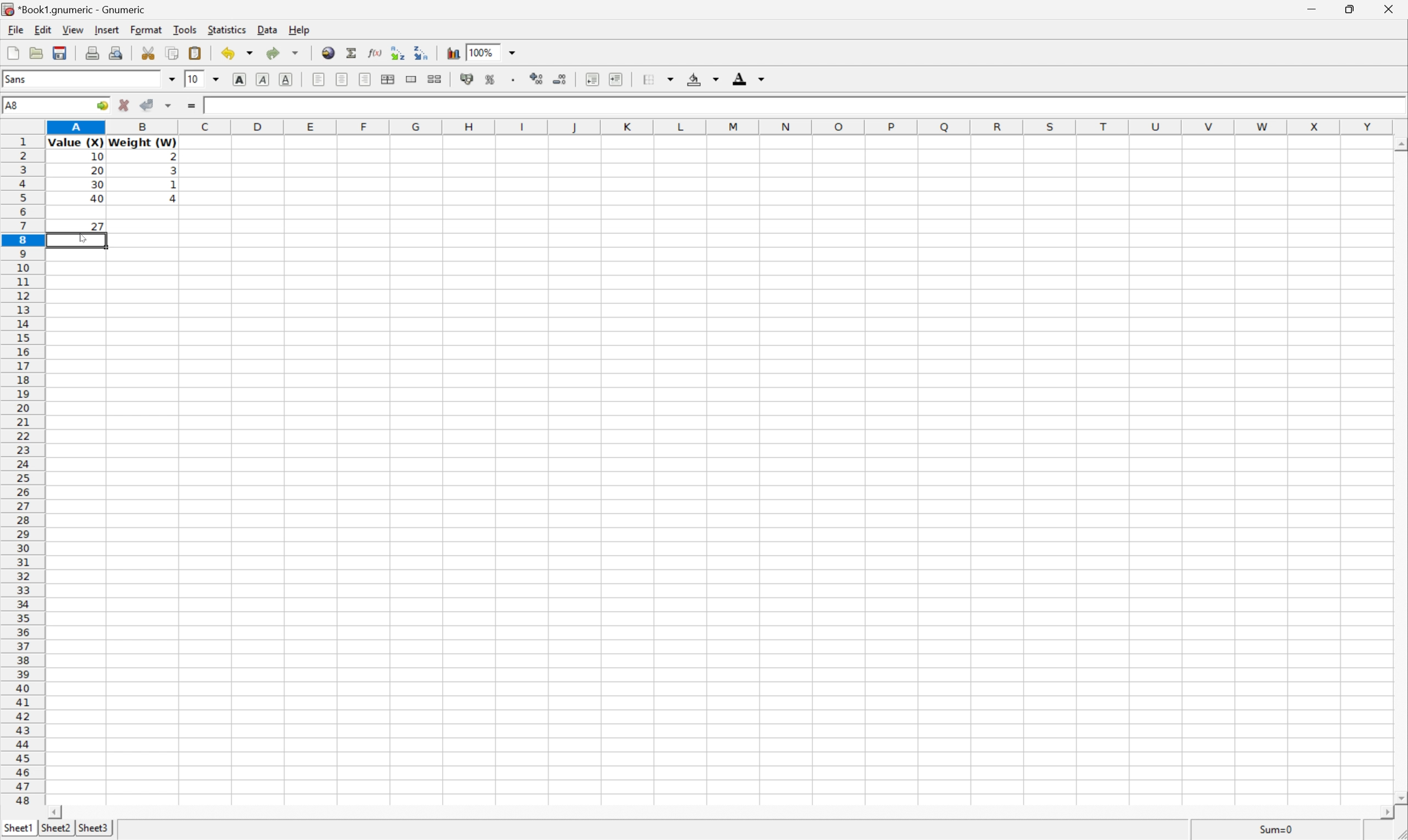  What do you see at coordinates (468, 80) in the screenshot?
I see `Format selection as accounting` at bounding box center [468, 80].